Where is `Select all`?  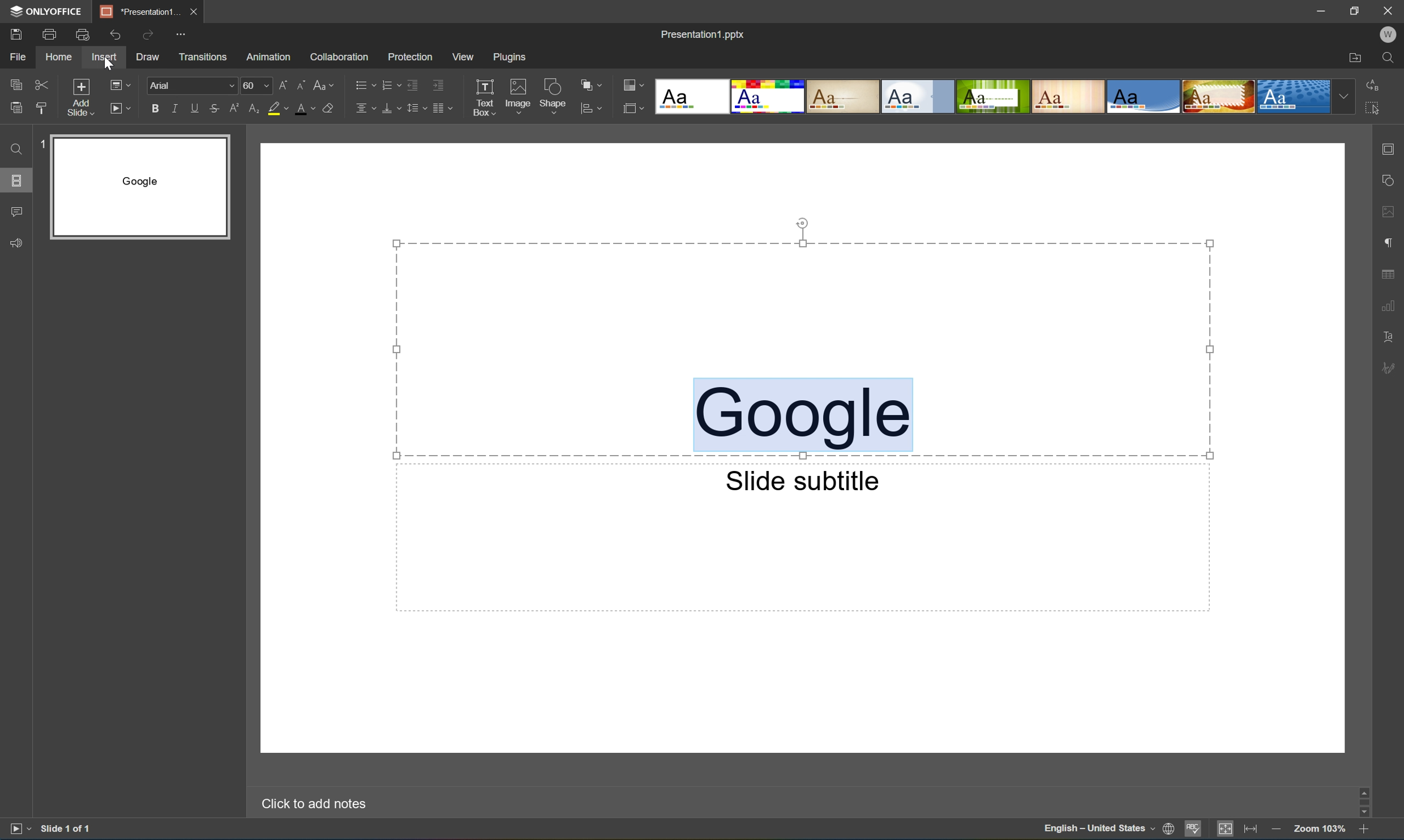
Select all is located at coordinates (1372, 109).